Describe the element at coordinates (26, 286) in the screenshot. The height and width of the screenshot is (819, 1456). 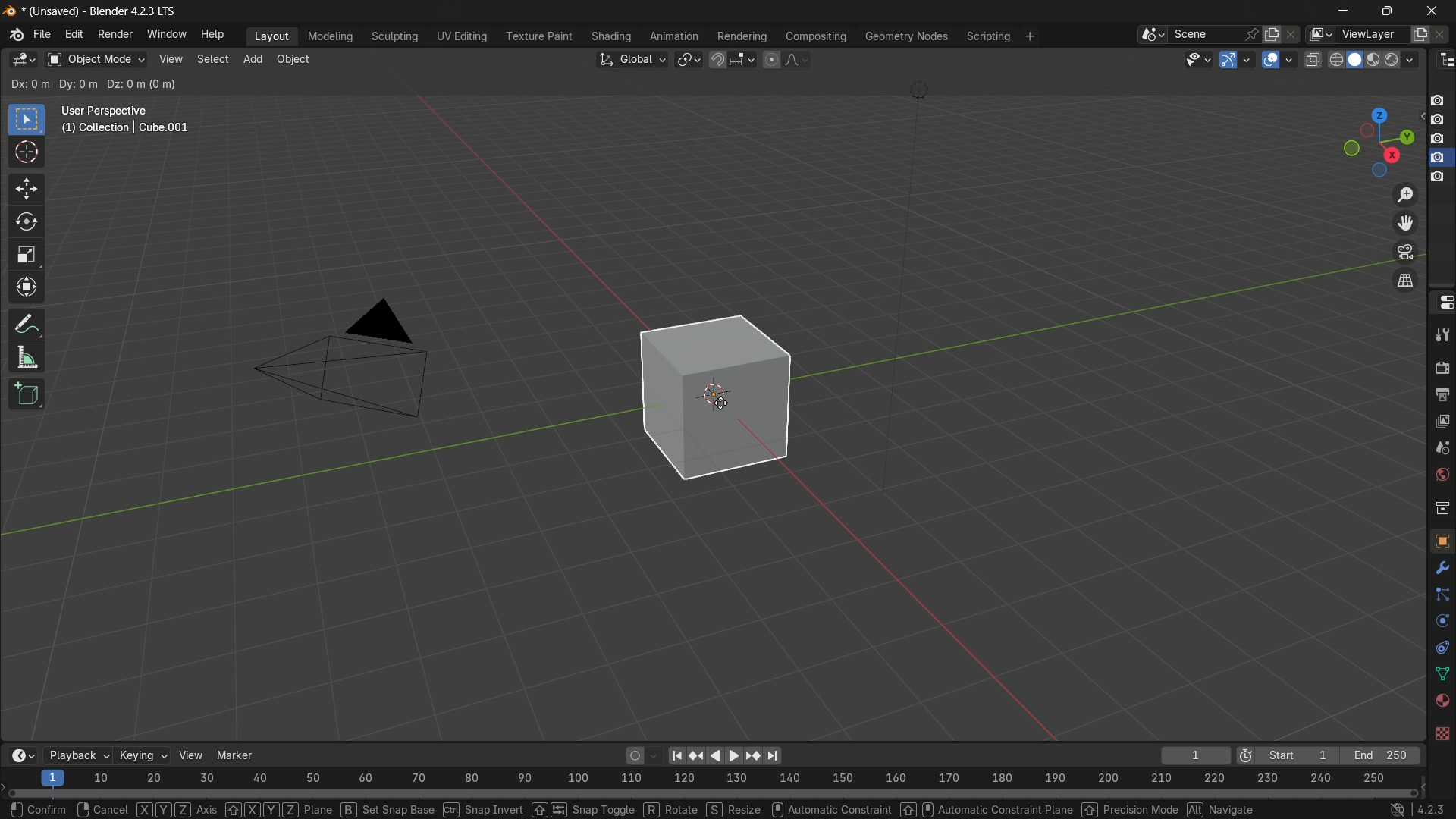
I see `transform` at that location.